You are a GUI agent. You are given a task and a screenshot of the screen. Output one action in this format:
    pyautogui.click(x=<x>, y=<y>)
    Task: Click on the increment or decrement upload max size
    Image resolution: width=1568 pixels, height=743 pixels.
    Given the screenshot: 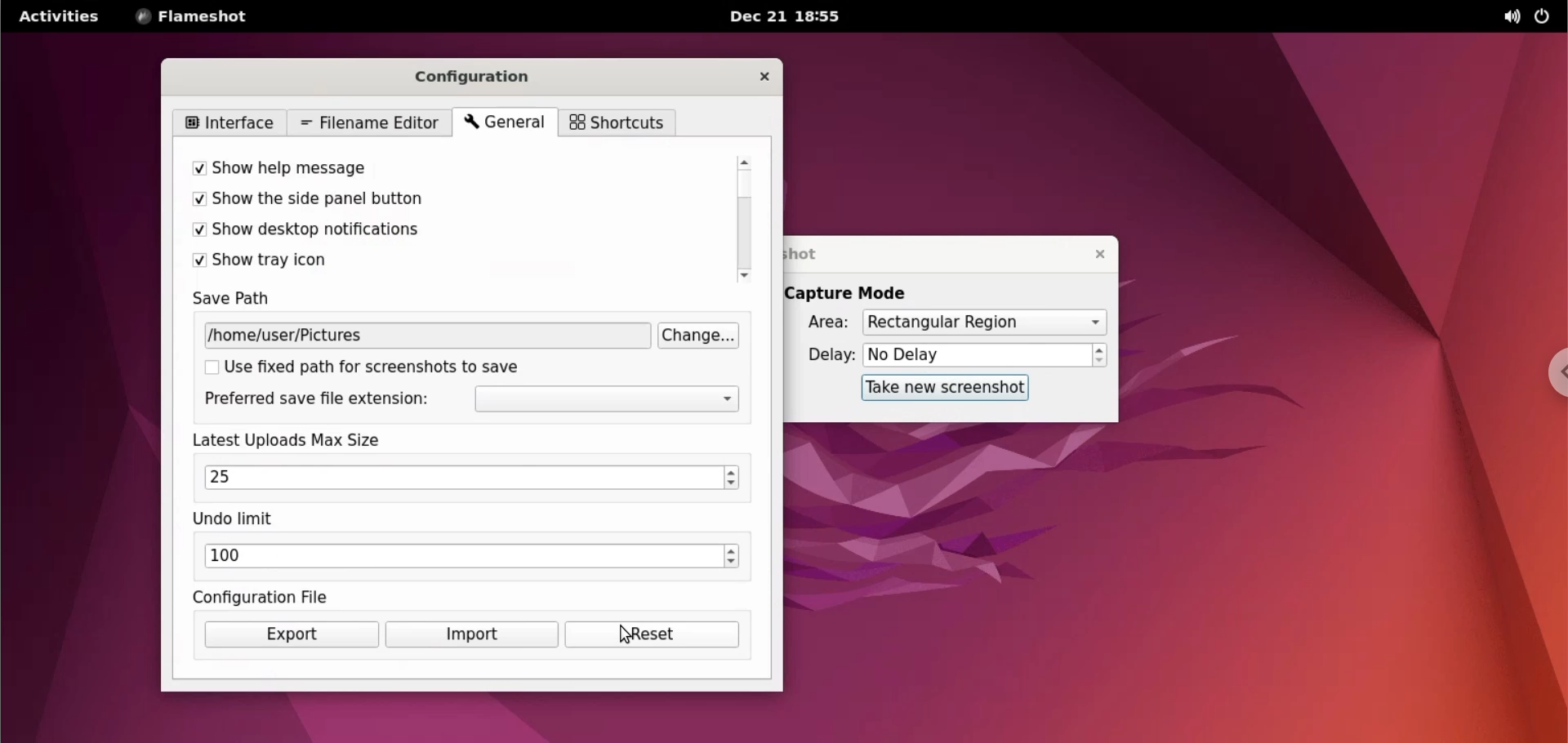 What is the action you would take?
    pyautogui.click(x=733, y=477)
    